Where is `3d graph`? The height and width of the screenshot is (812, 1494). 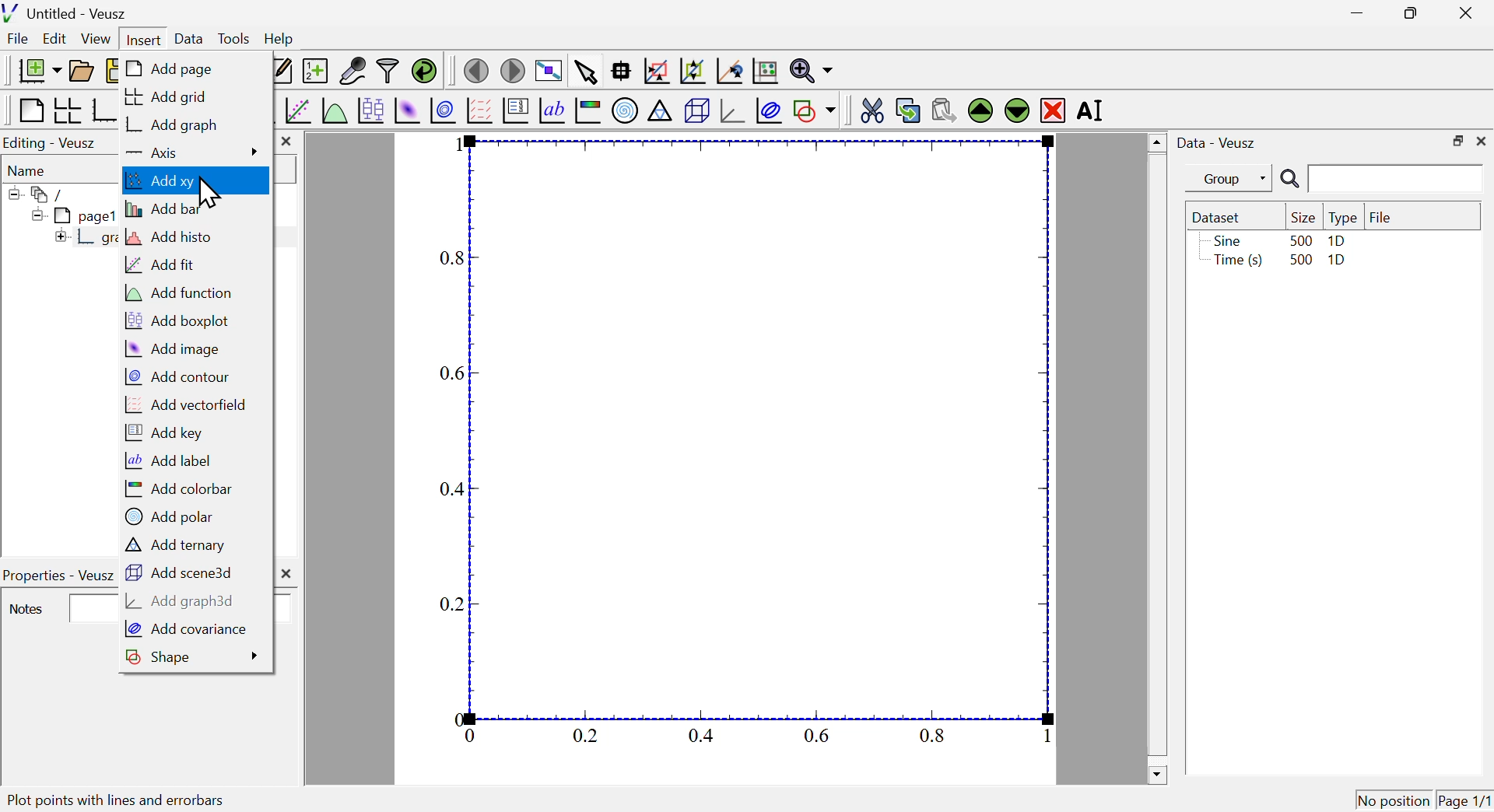
3d graph is located at coordinates (732, 111).